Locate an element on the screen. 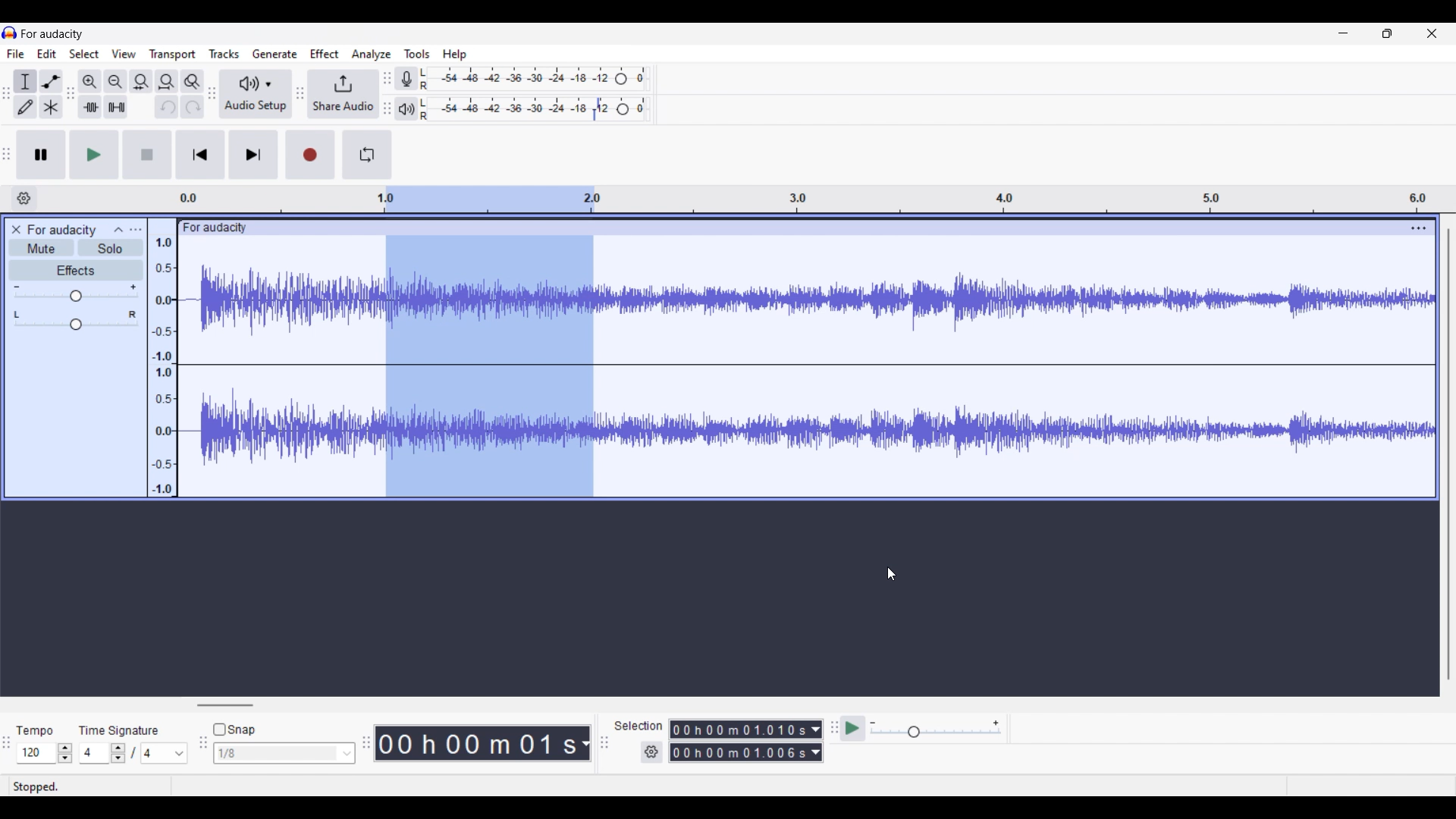 The height and width of the screenshot is (819, 1456). Cursor is located at coordinates (891, 574).